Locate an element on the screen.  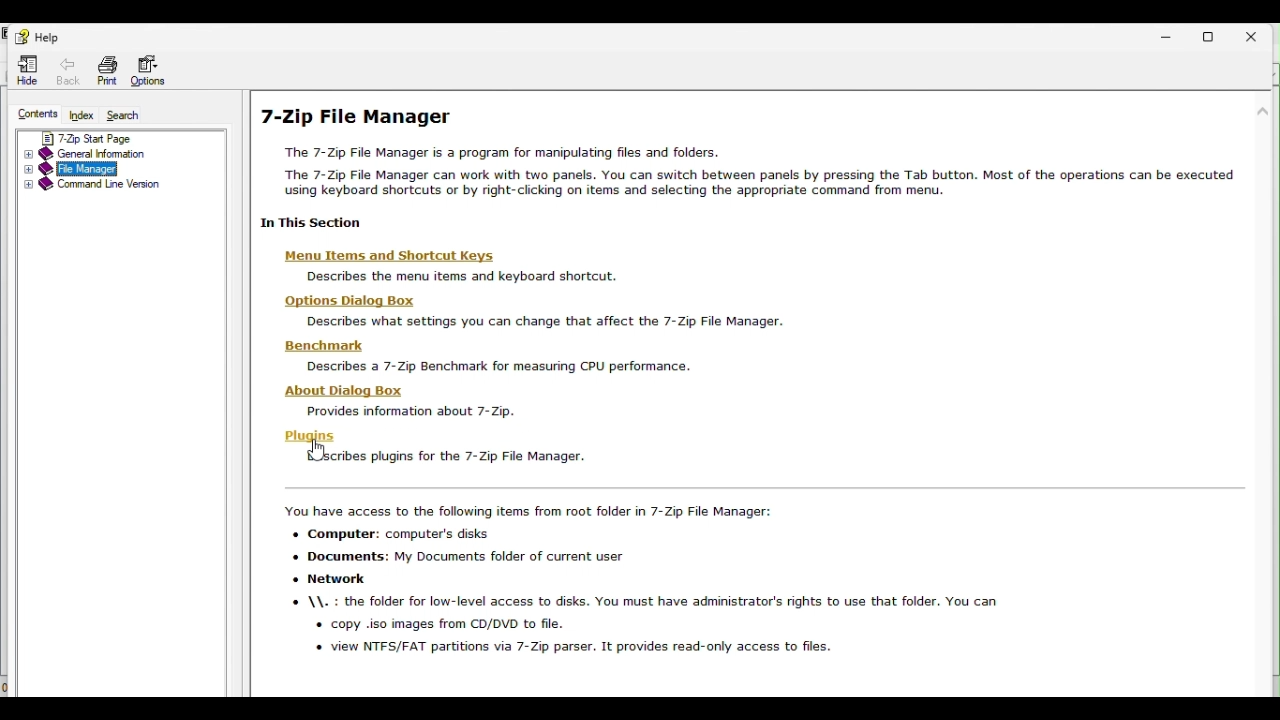
General information is located at coordinates (121, 153).